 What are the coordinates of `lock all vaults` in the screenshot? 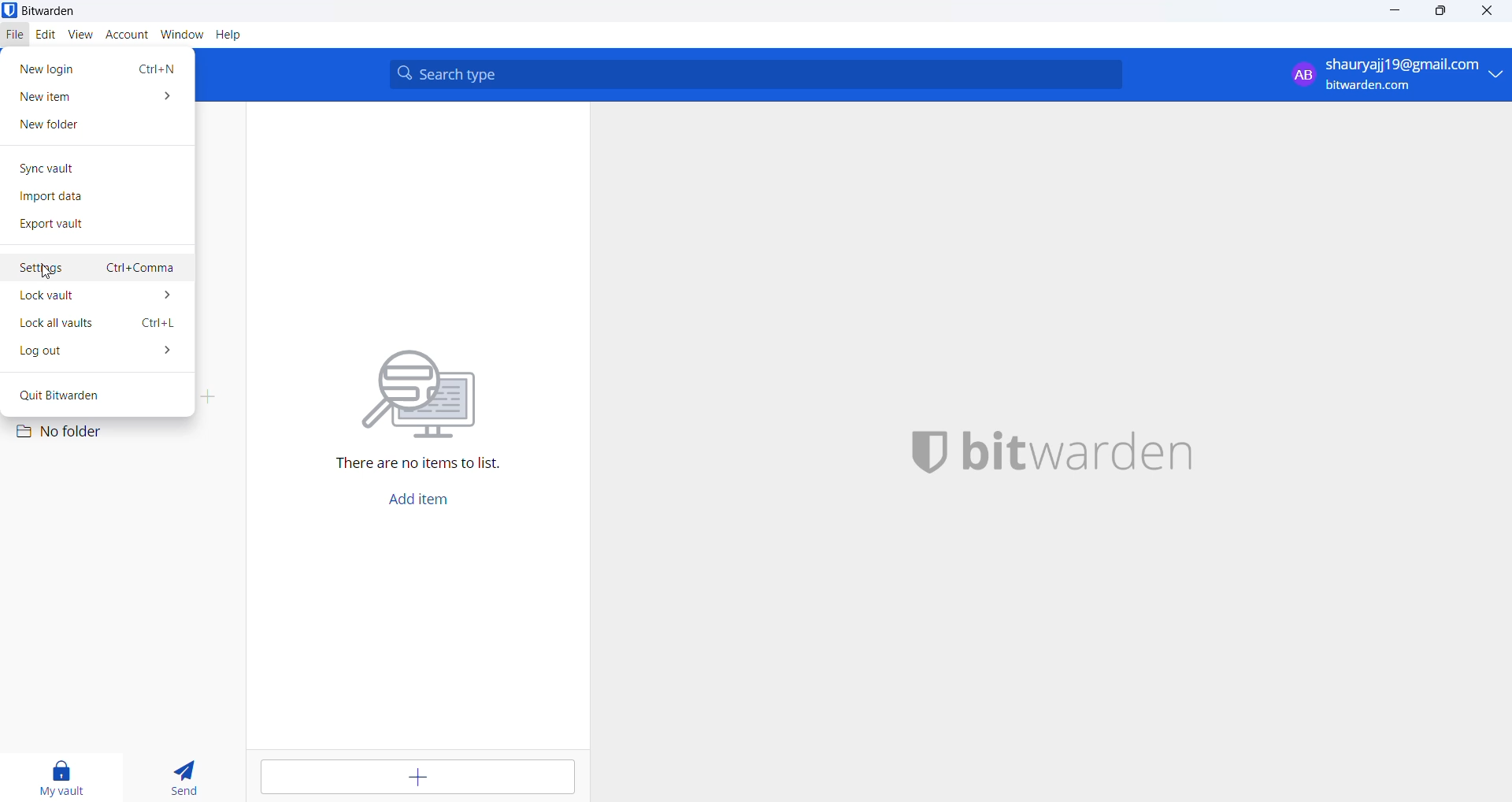 It's located at (67, 324).